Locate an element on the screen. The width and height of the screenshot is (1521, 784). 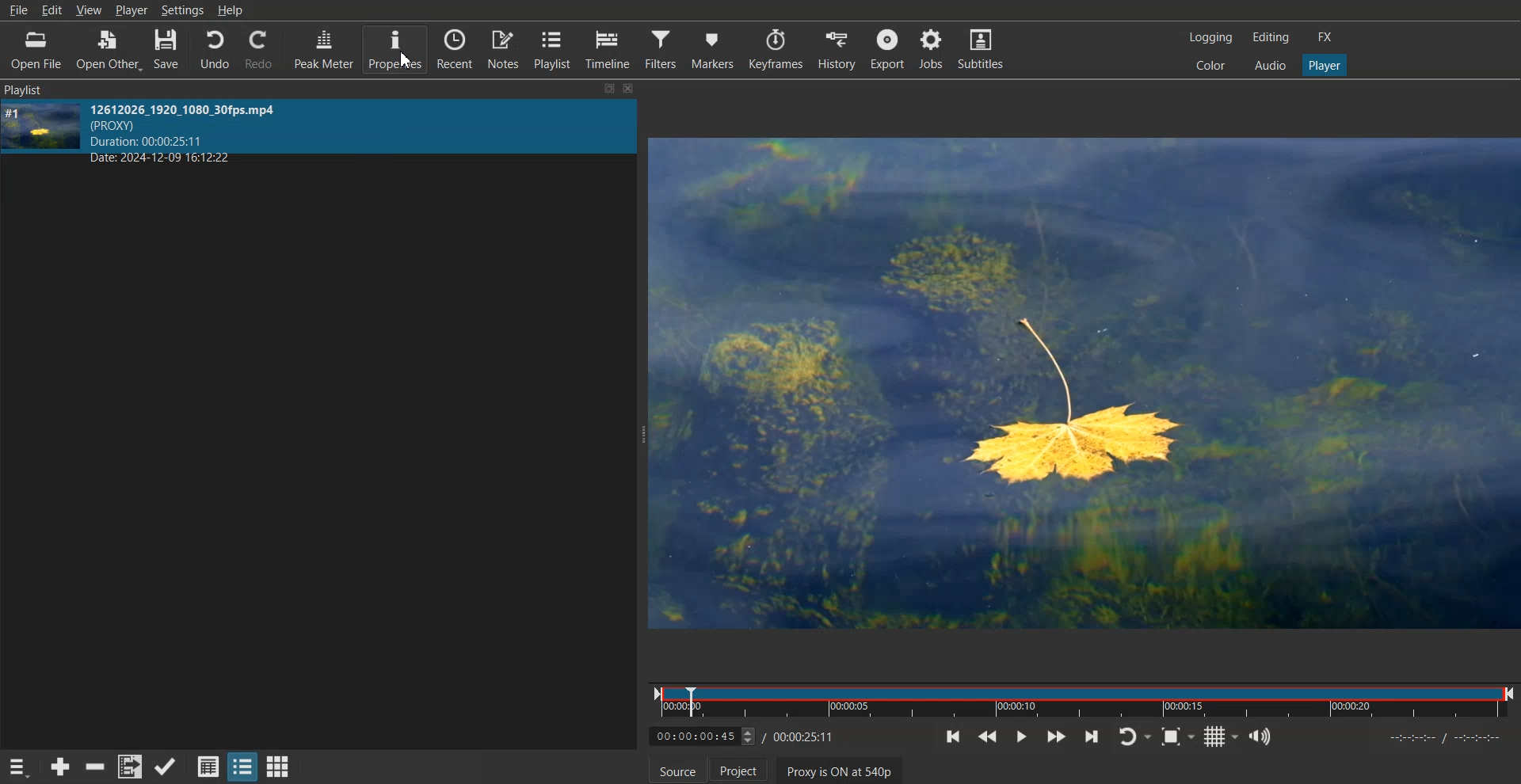
Show the volume control is located at coordinates (1260, 736).